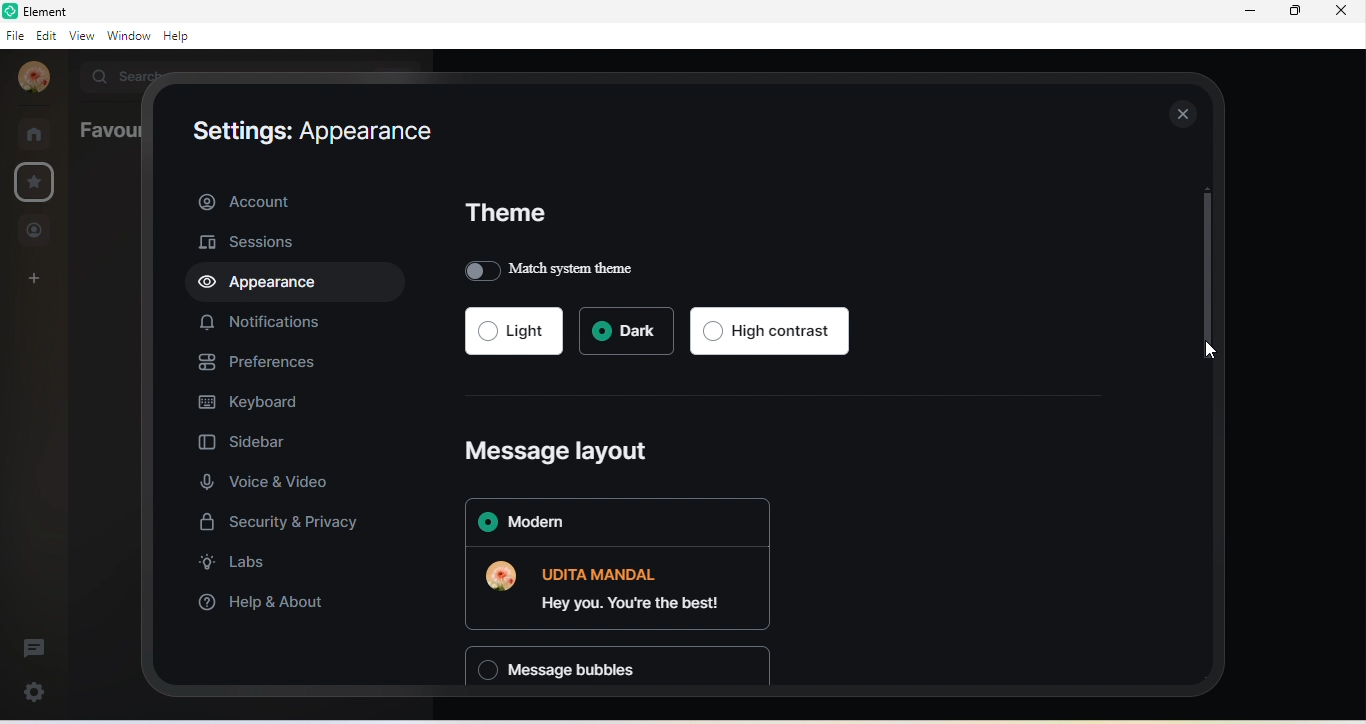  What do you see at coordinates (277, 523) in the screenshot?
I see `security and privacy` at bounding box center [277, 523].